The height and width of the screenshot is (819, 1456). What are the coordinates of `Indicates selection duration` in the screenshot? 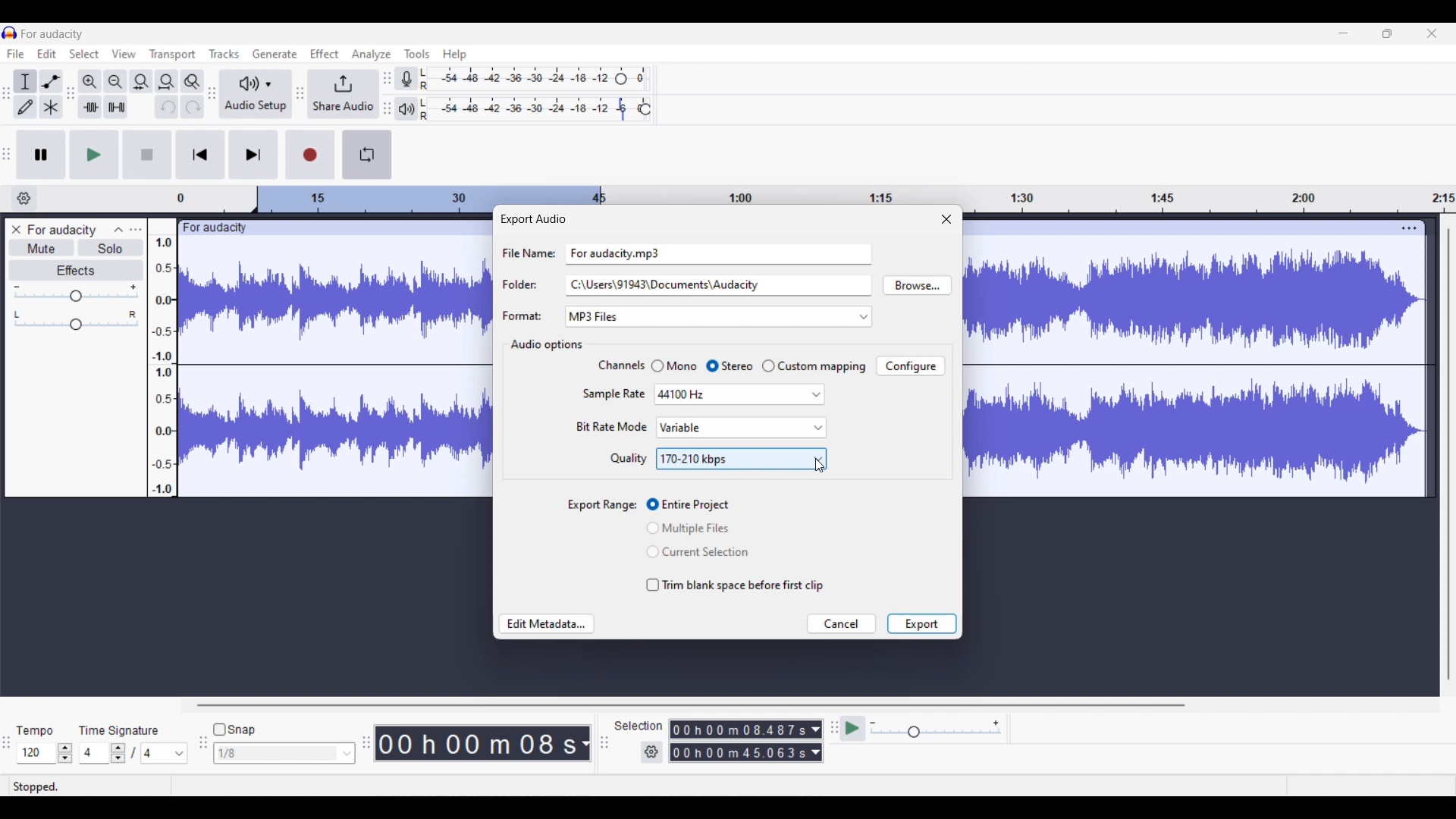 It's located at (639, 726).